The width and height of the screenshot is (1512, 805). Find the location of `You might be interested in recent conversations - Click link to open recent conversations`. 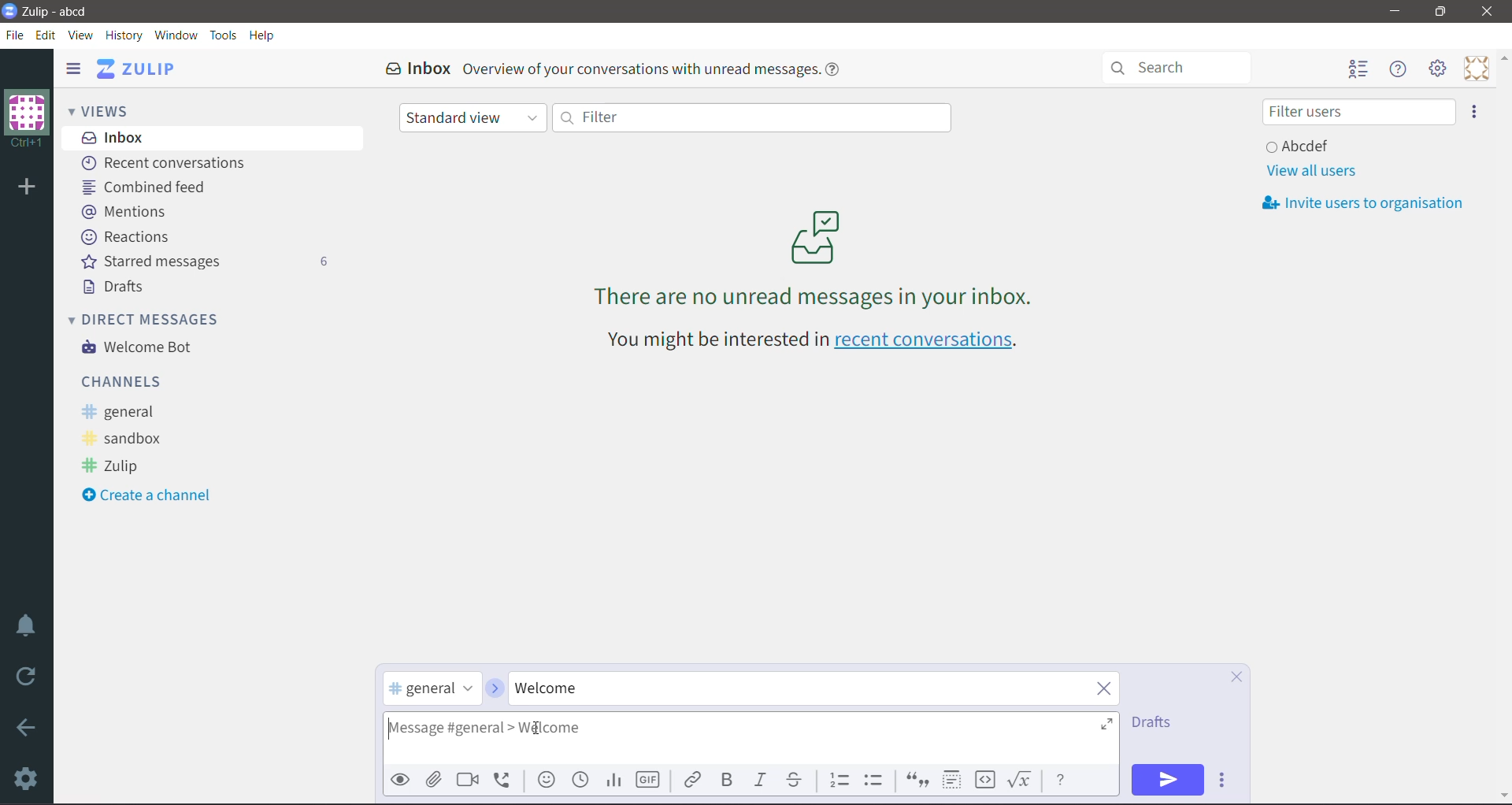

You might be interested in recent conversations - Click link to open recent conversations is located at coordinates (817, 342).